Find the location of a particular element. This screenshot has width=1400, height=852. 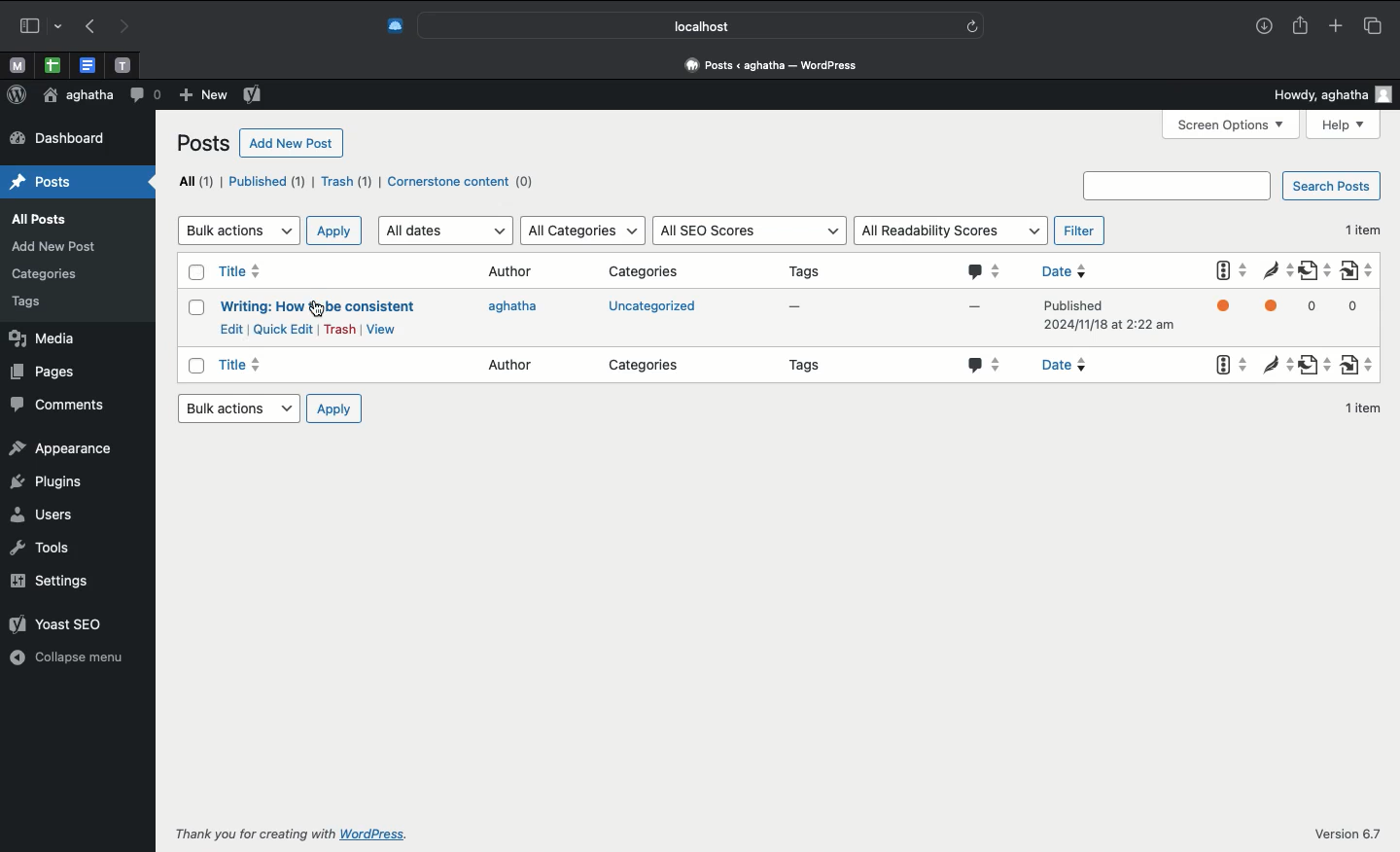

Howdy user is located at coordinates (1334, 94).